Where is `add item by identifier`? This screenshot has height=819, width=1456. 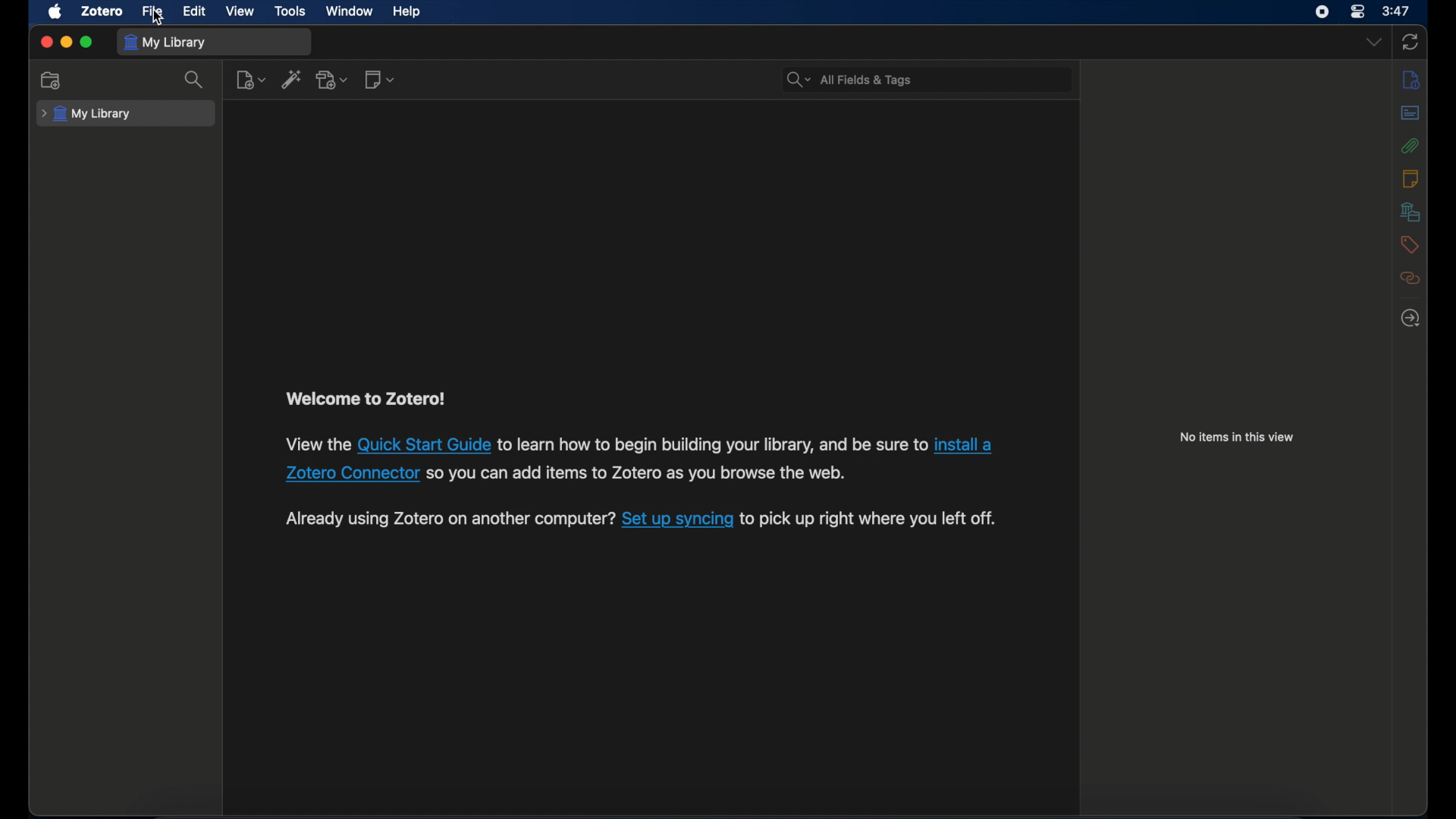 add item by identifier is located at coordinates (291, 80).